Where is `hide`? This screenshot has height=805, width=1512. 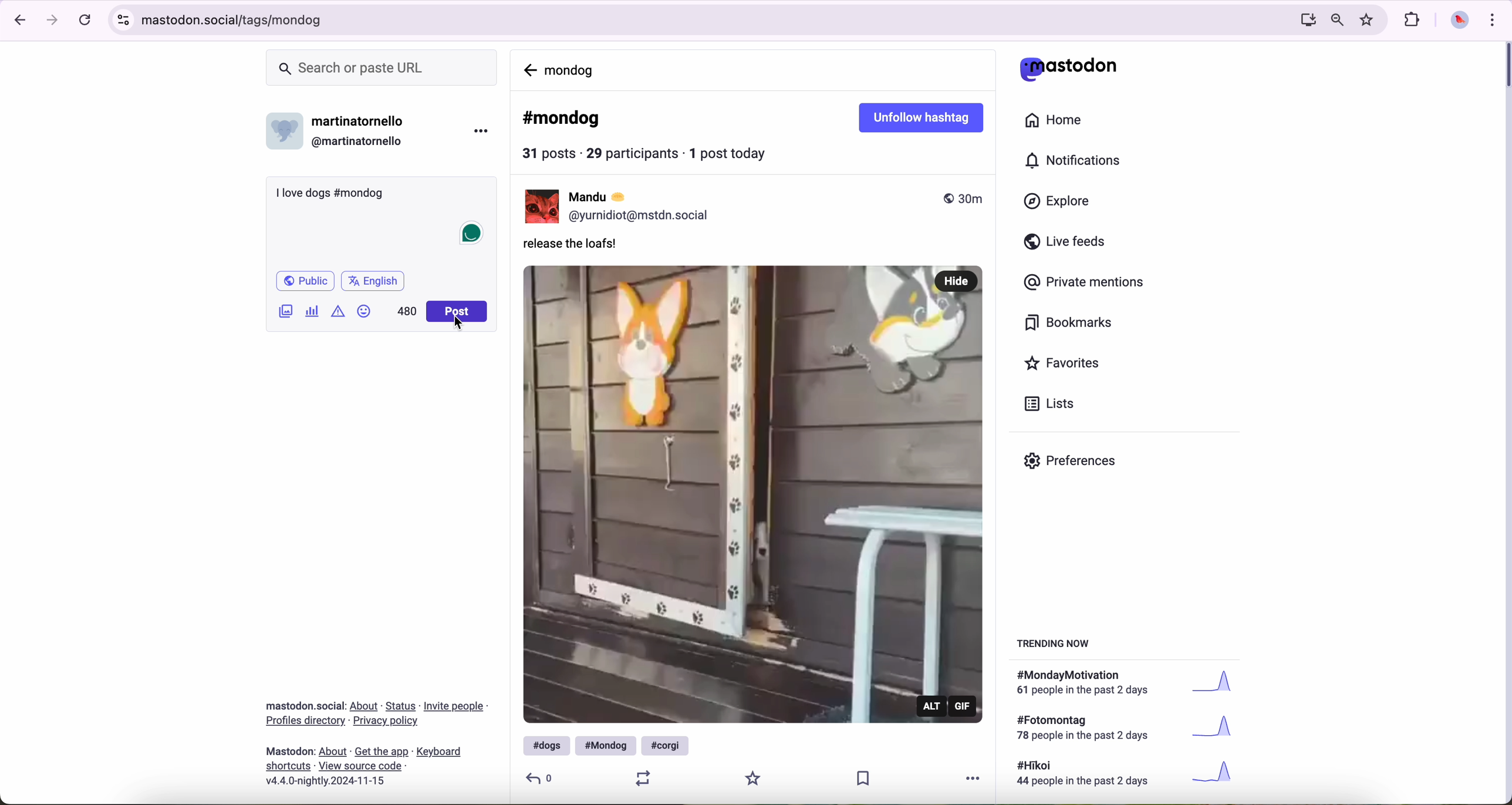
hide is located at coordinates (957, 279).